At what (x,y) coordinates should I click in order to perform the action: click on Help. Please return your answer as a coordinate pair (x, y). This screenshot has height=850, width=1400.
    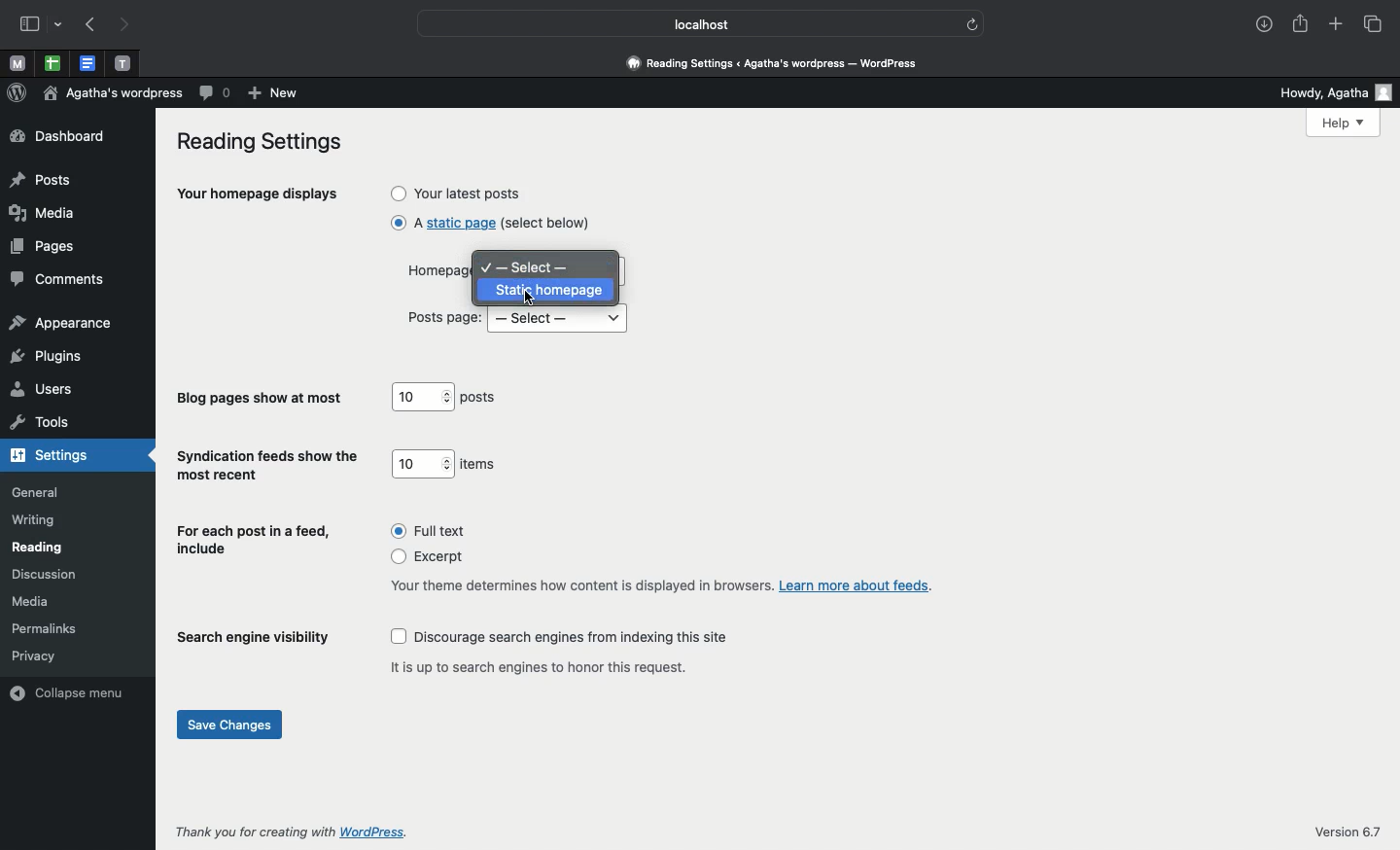
    Looking at the image, I should click on (1343, 124).